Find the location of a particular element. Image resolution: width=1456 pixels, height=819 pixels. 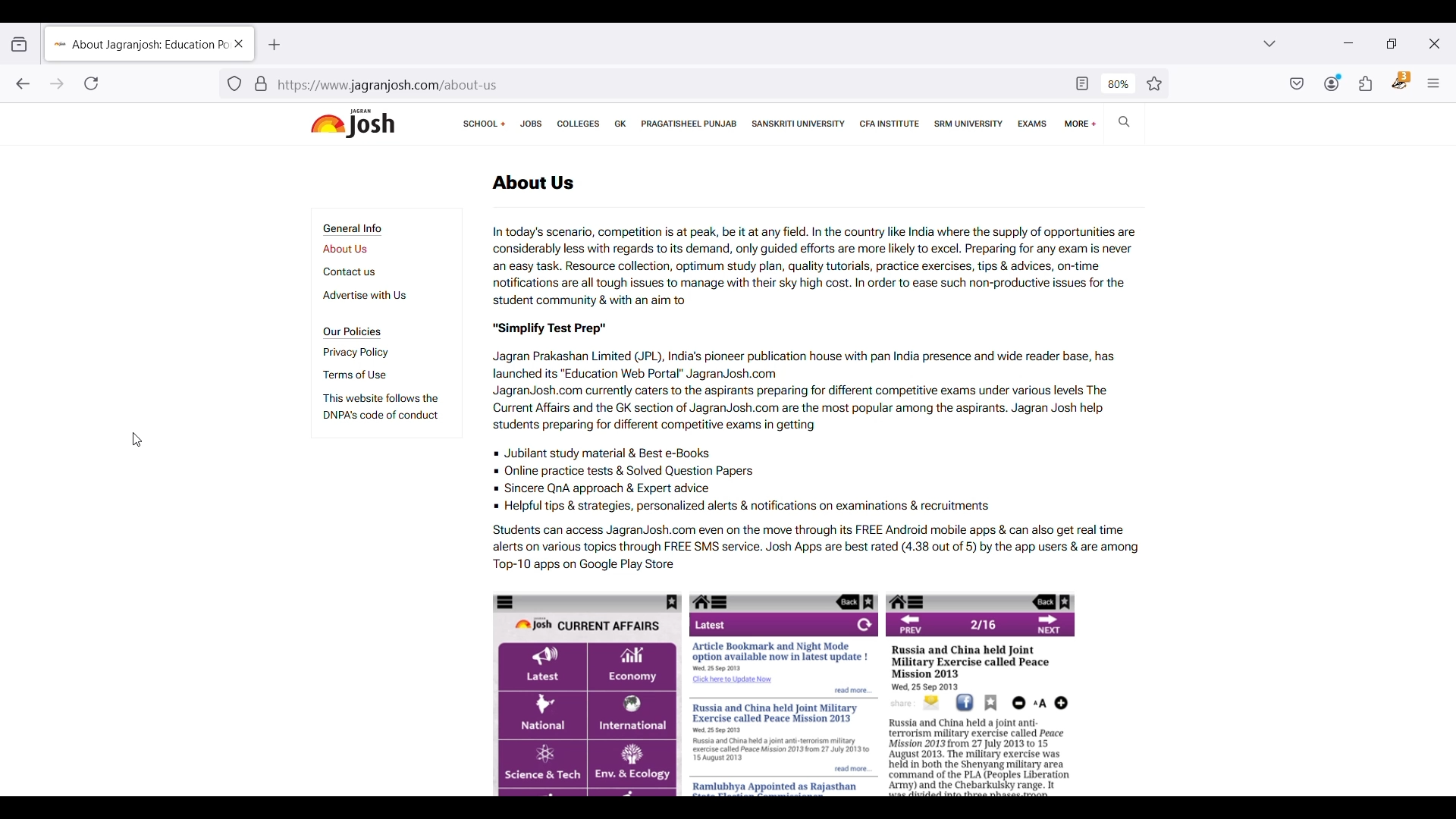

Save to pocket is located at coordinates (1298, 83).